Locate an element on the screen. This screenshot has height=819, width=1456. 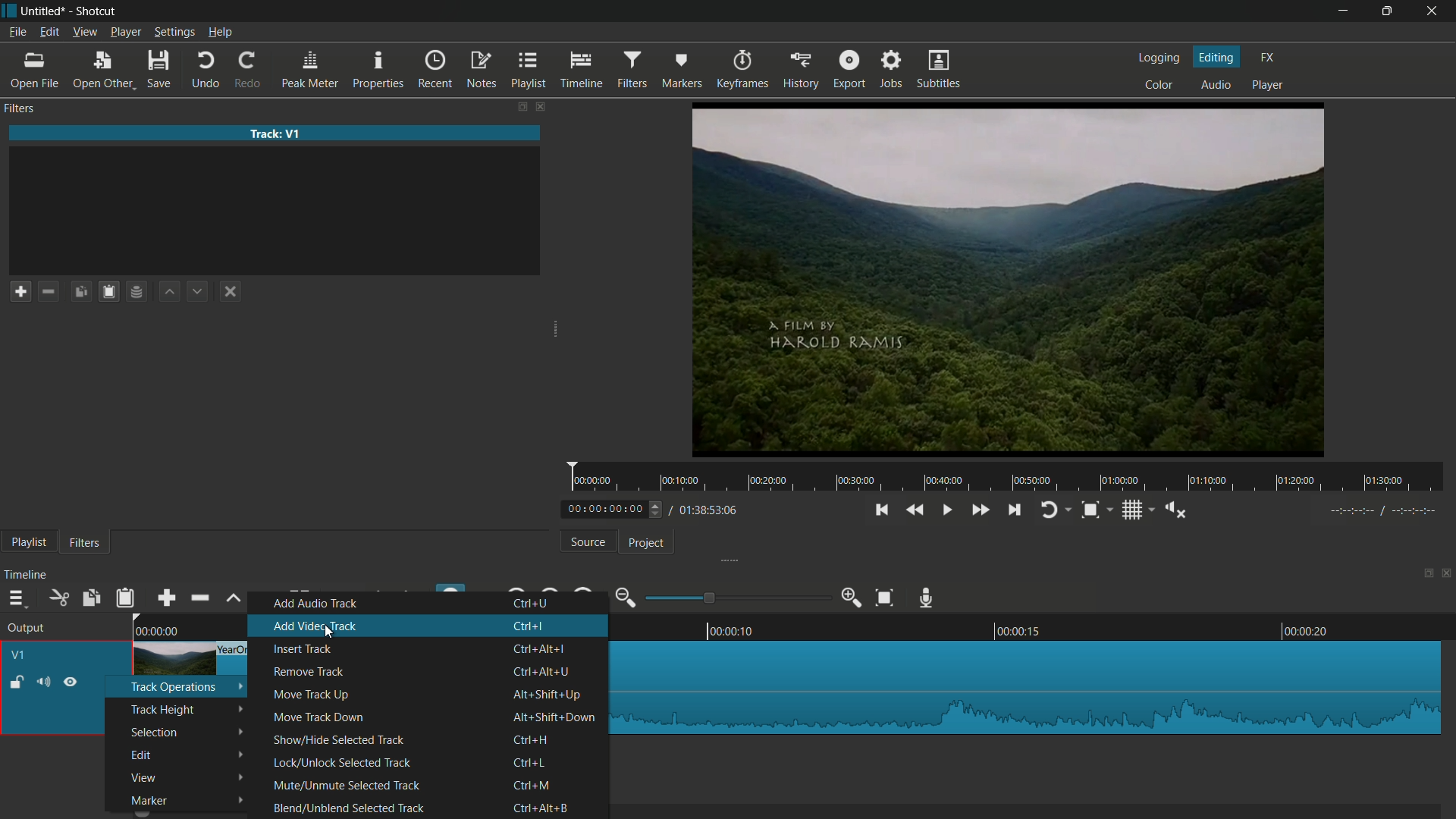
jobs is located at coordinates (893, 71).